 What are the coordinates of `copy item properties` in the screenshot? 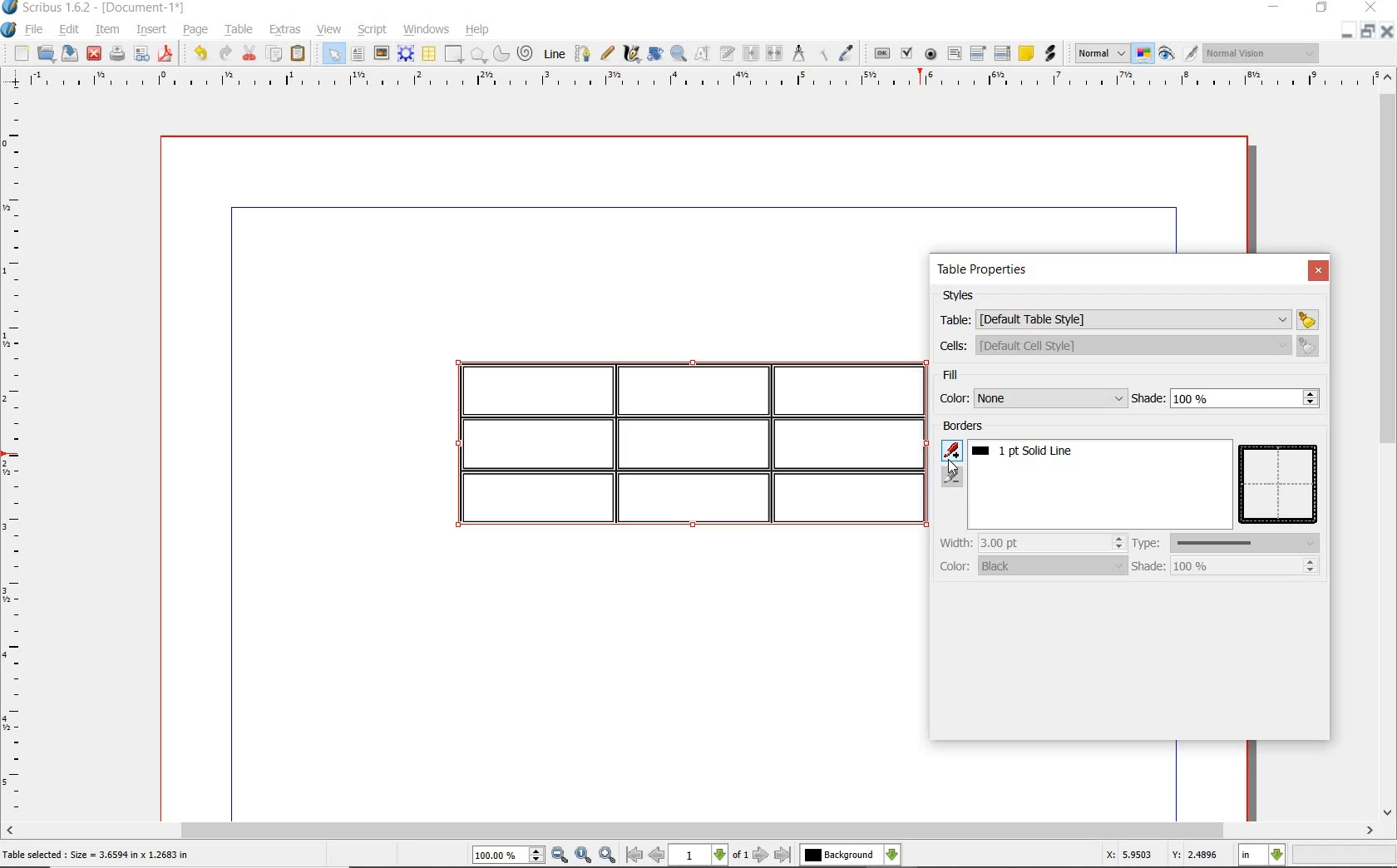 It's located at (827, 53).